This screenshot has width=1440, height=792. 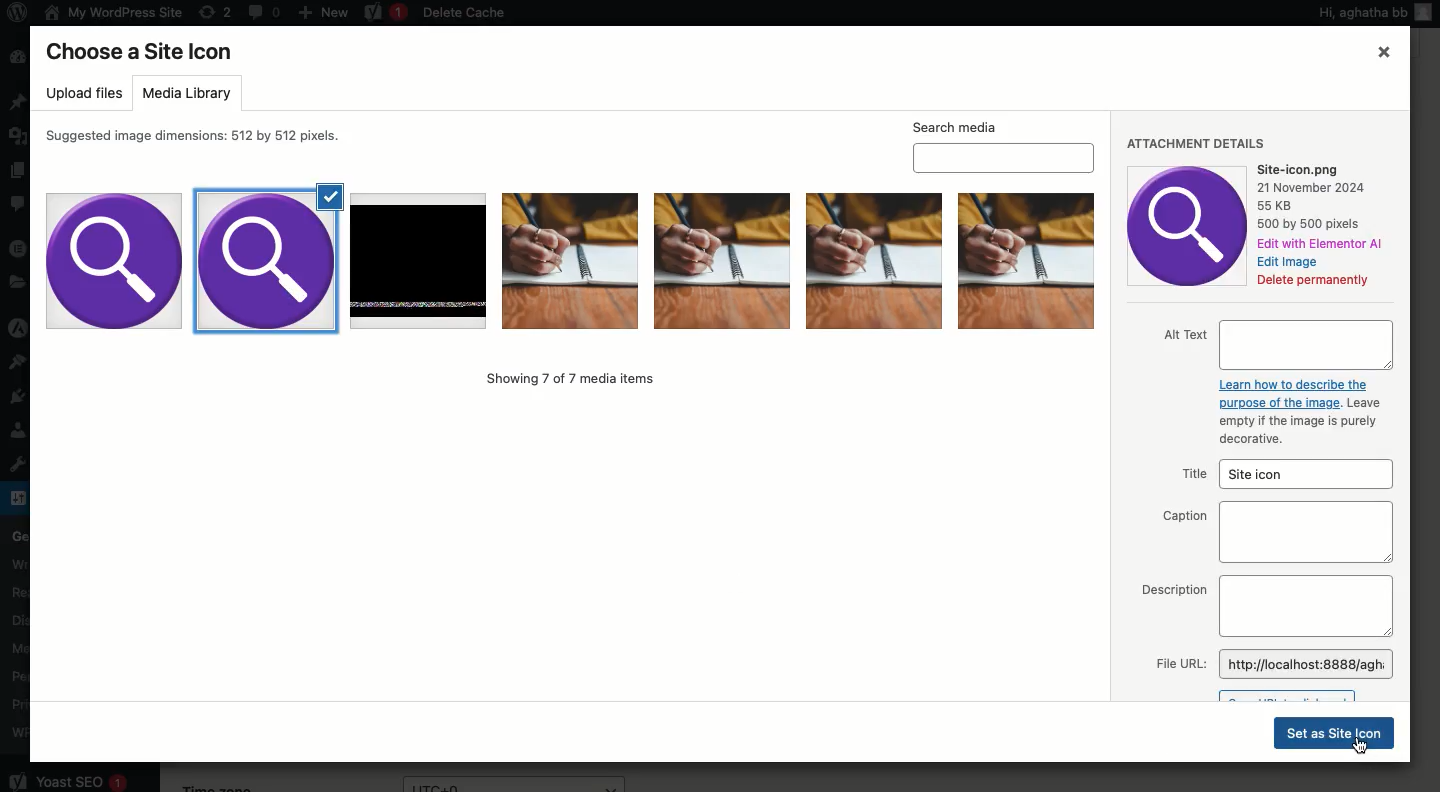 I want to click on  Yoast SEO 1, so click(x=67, y=777).